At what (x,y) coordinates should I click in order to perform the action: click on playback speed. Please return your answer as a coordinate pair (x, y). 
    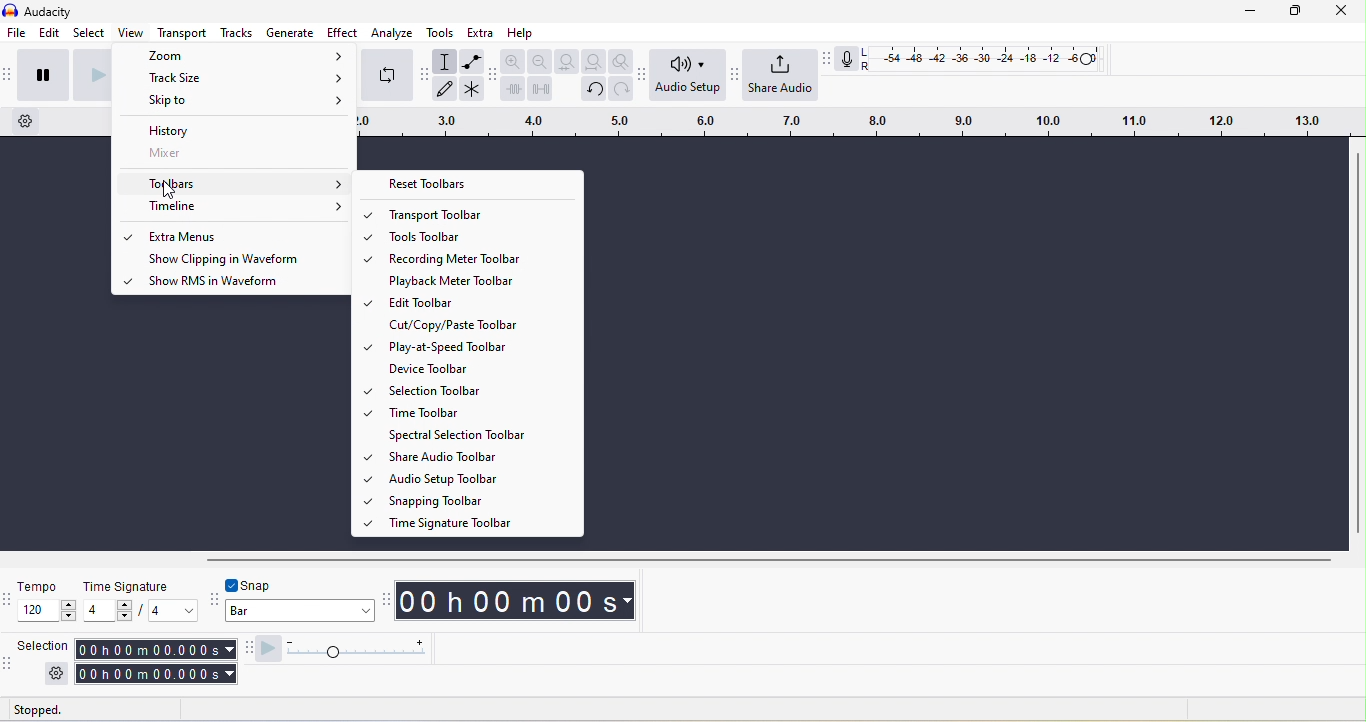
    Looking at the image, I should click on (355, 650).